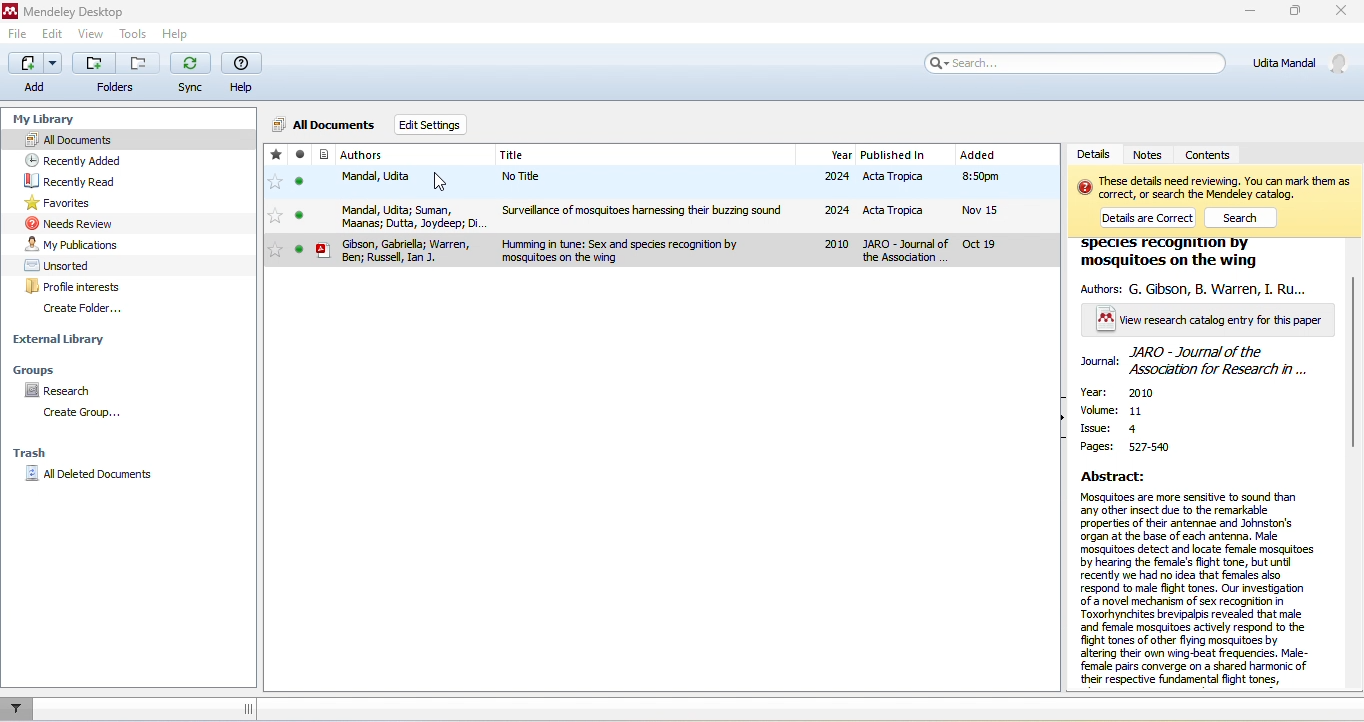 The image size is (1364, 722). Describe the element at coordinates (118, 88) in the screenshot. I see `folders` at that location.